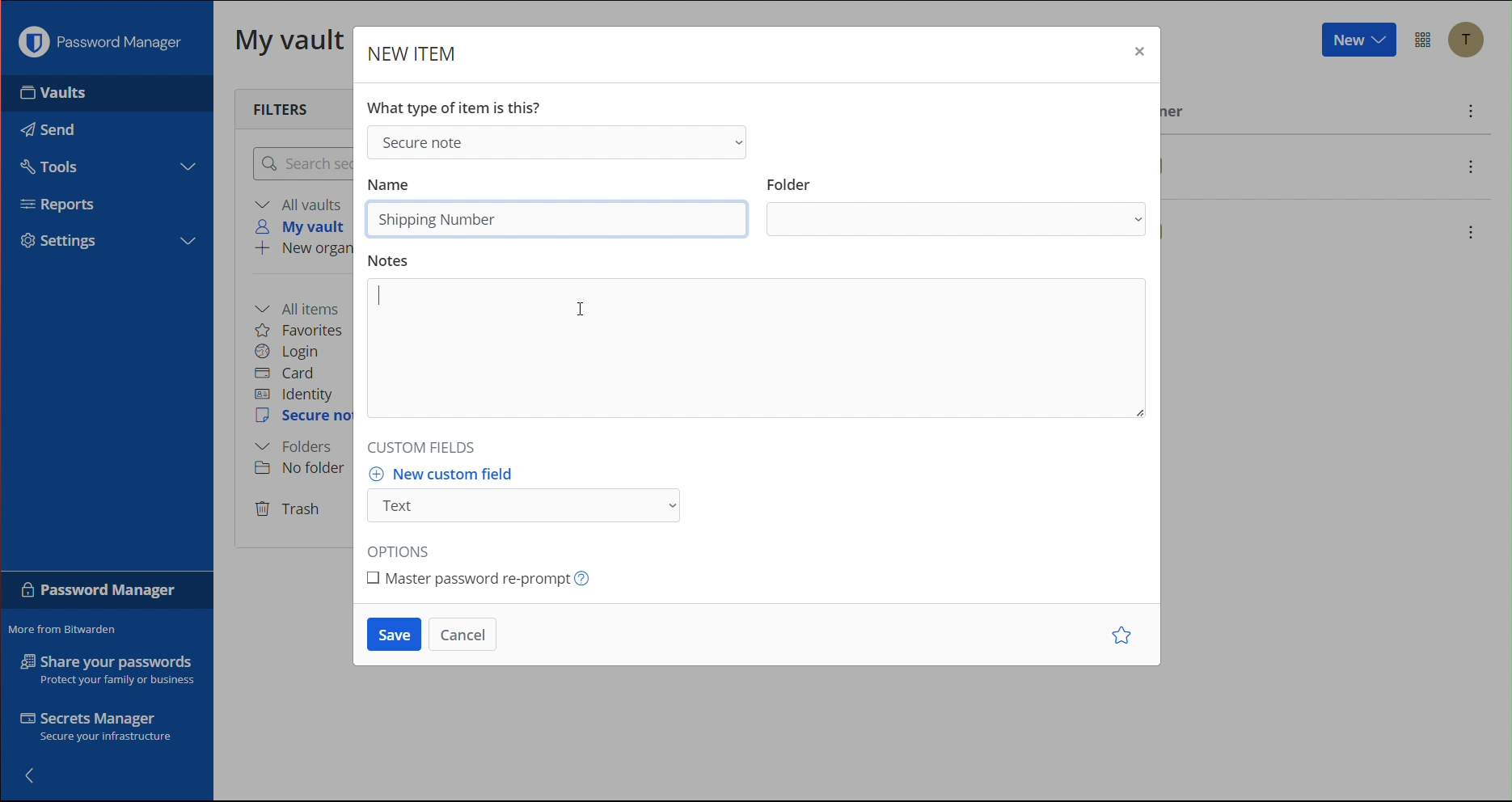 This screenshot has height=802, width=1512. I want to click on Name, so click(395, 184).